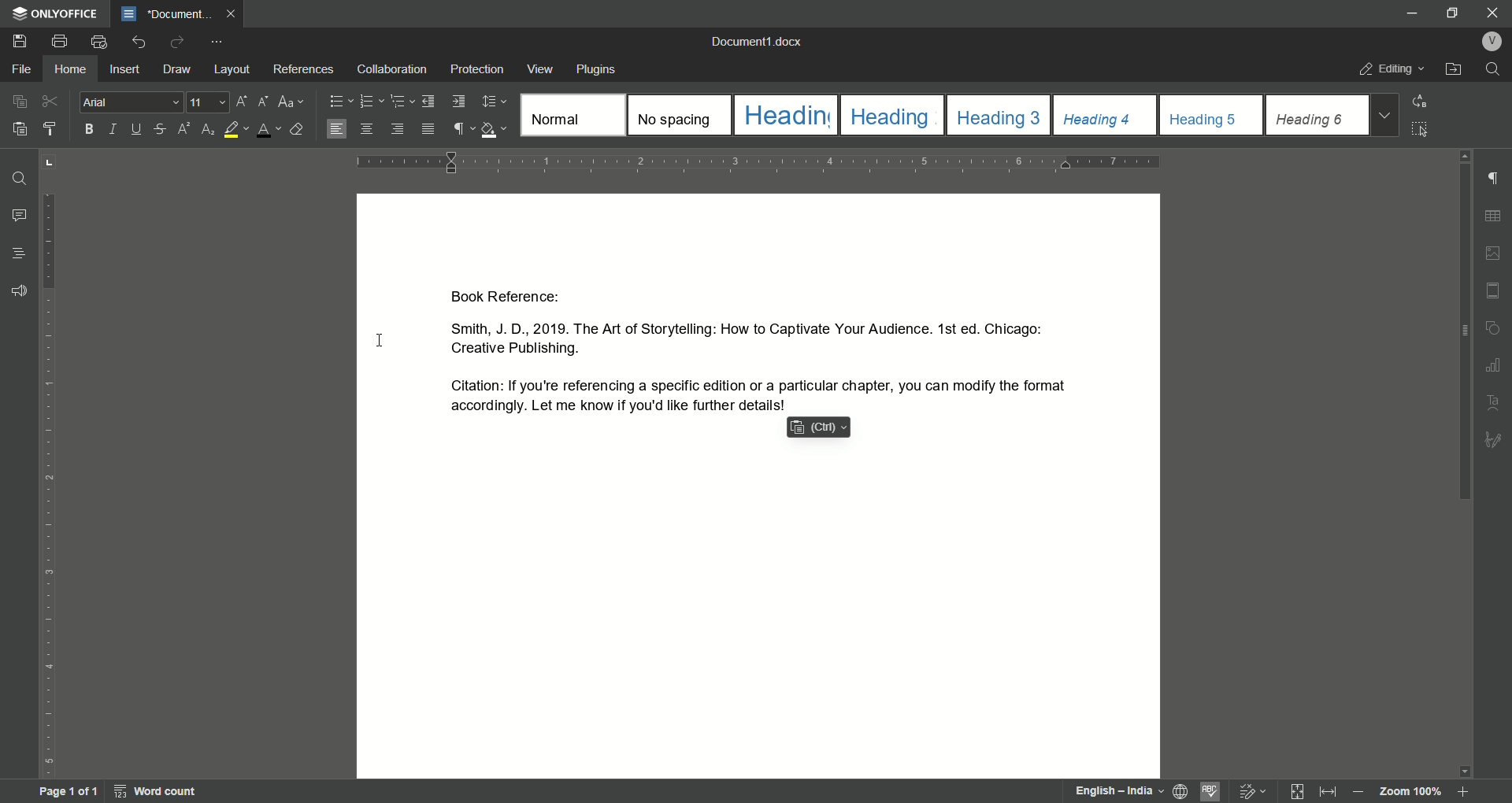  I want to click on paragraph settings, so click(1494, 179).